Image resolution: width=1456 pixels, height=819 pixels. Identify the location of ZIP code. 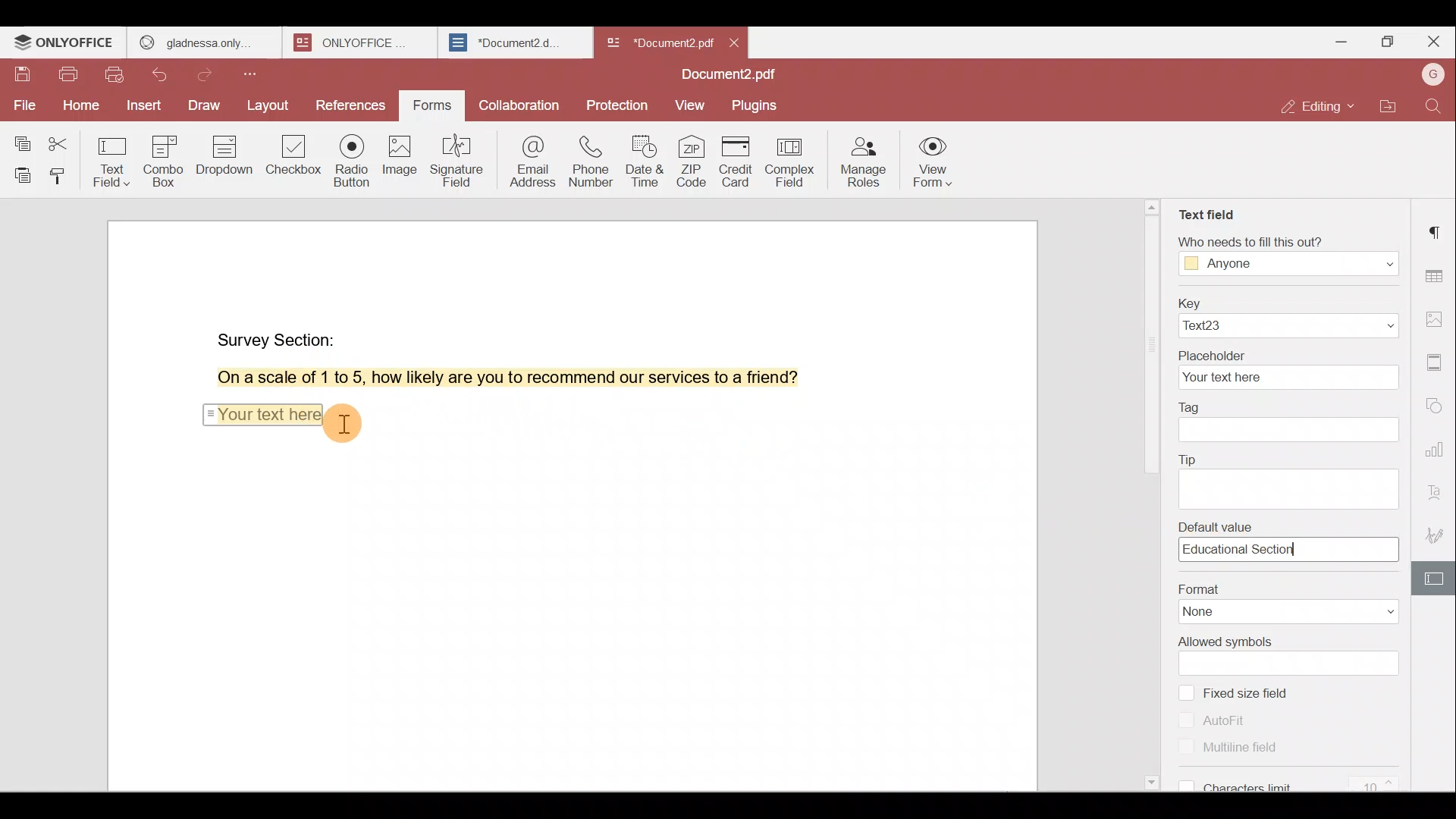
(693, 160).